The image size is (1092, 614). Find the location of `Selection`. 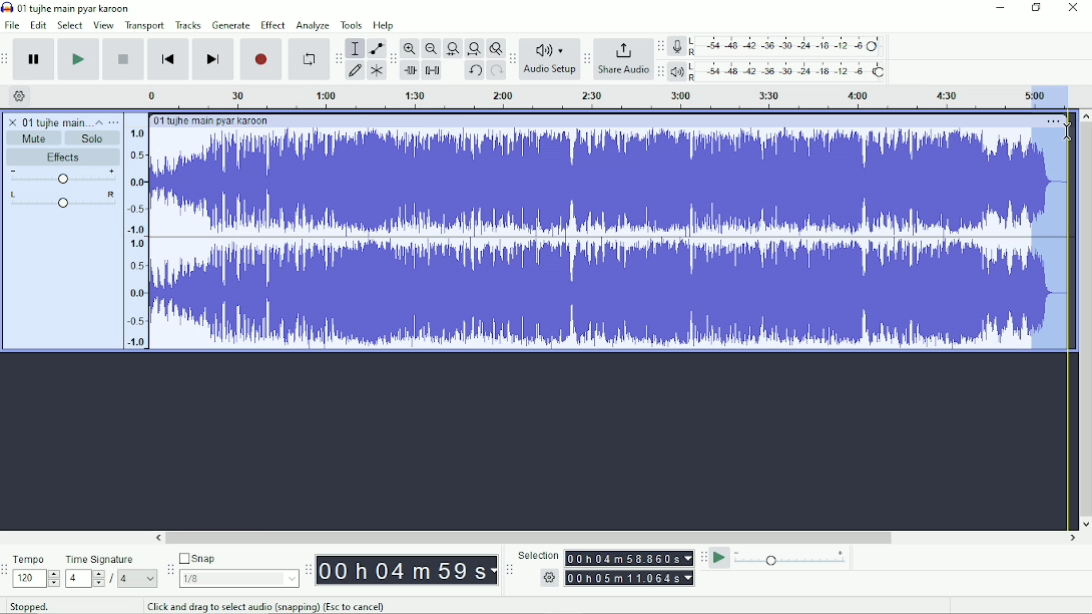

Selection is located at coordinates (538, 553).